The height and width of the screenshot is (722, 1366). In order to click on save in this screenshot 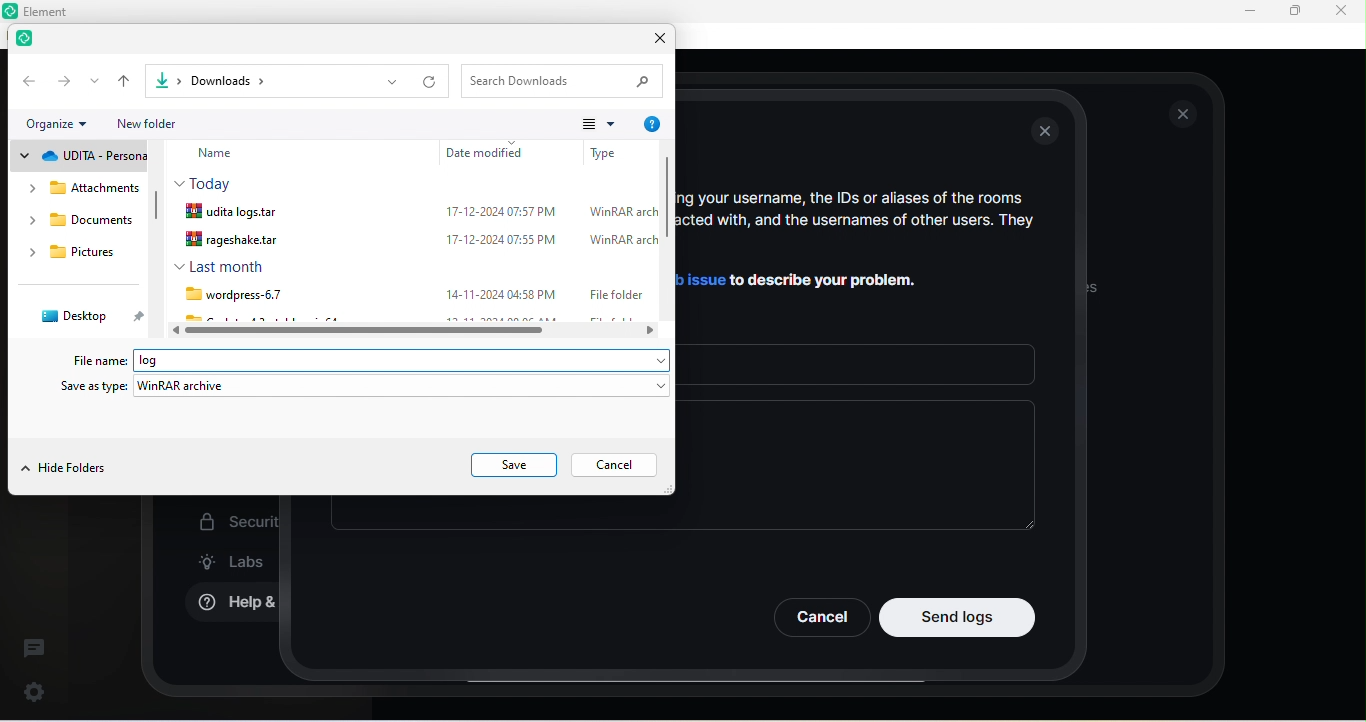, I will do `click(515, 465)`.